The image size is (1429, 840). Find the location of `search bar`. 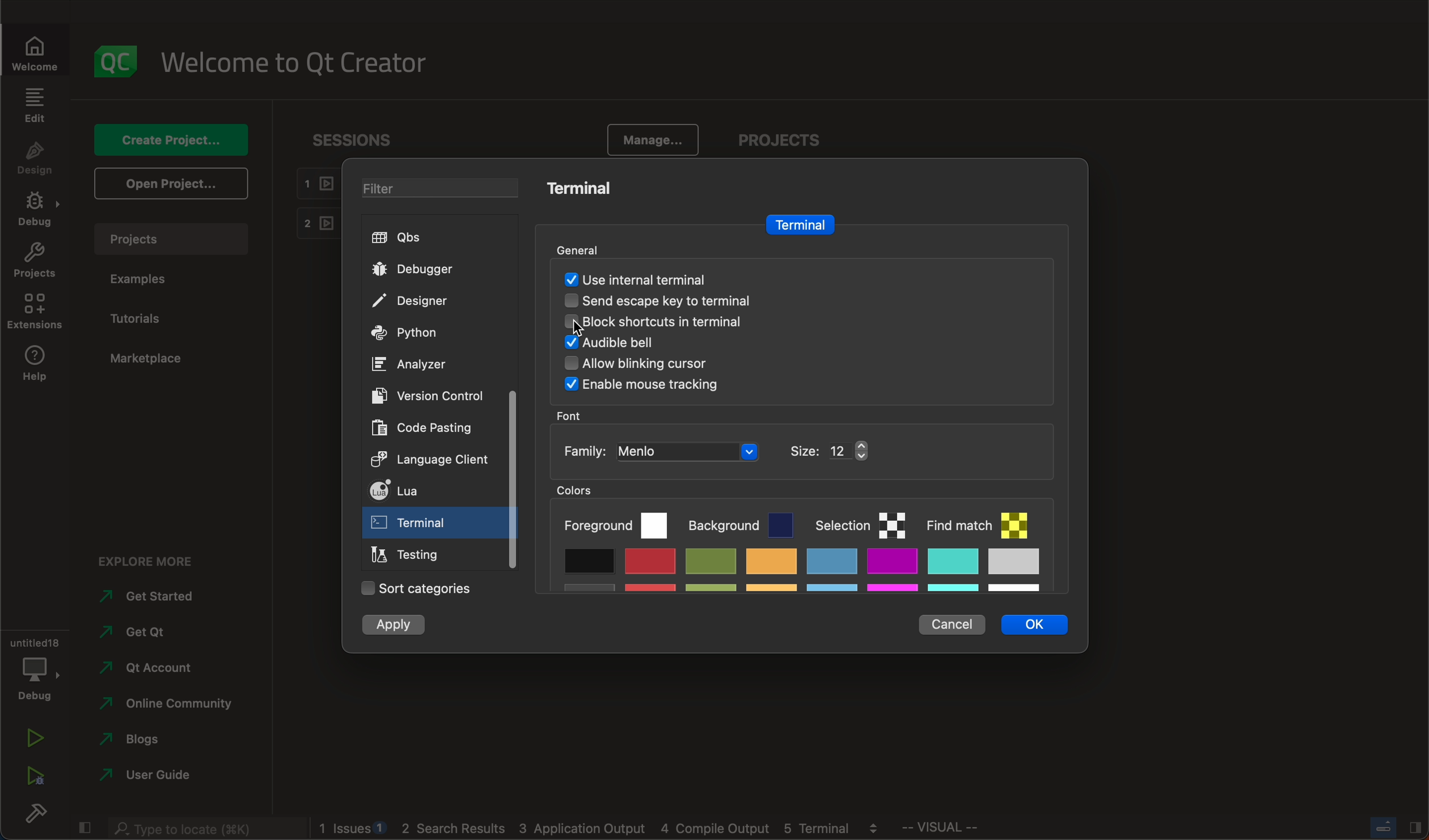

search bar is located at coordinates (198, 828).